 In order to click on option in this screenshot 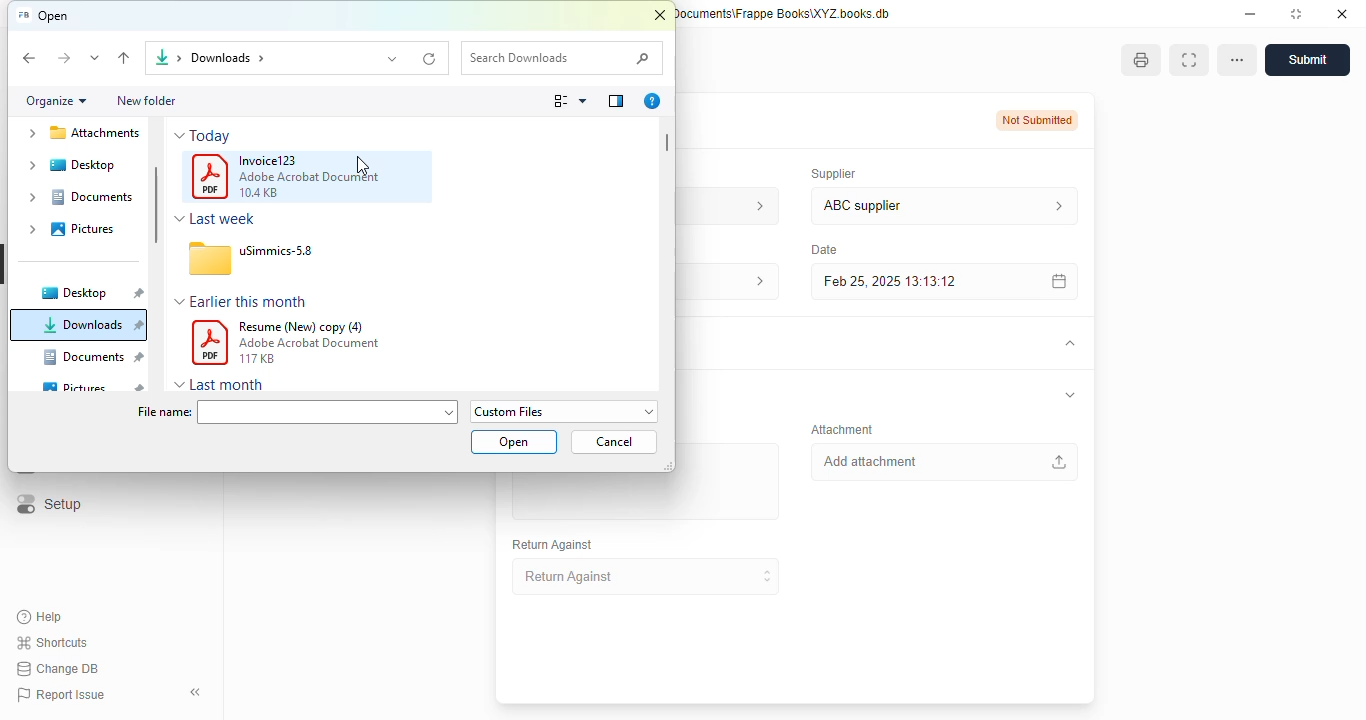, I will do `click(1237, 60)`.